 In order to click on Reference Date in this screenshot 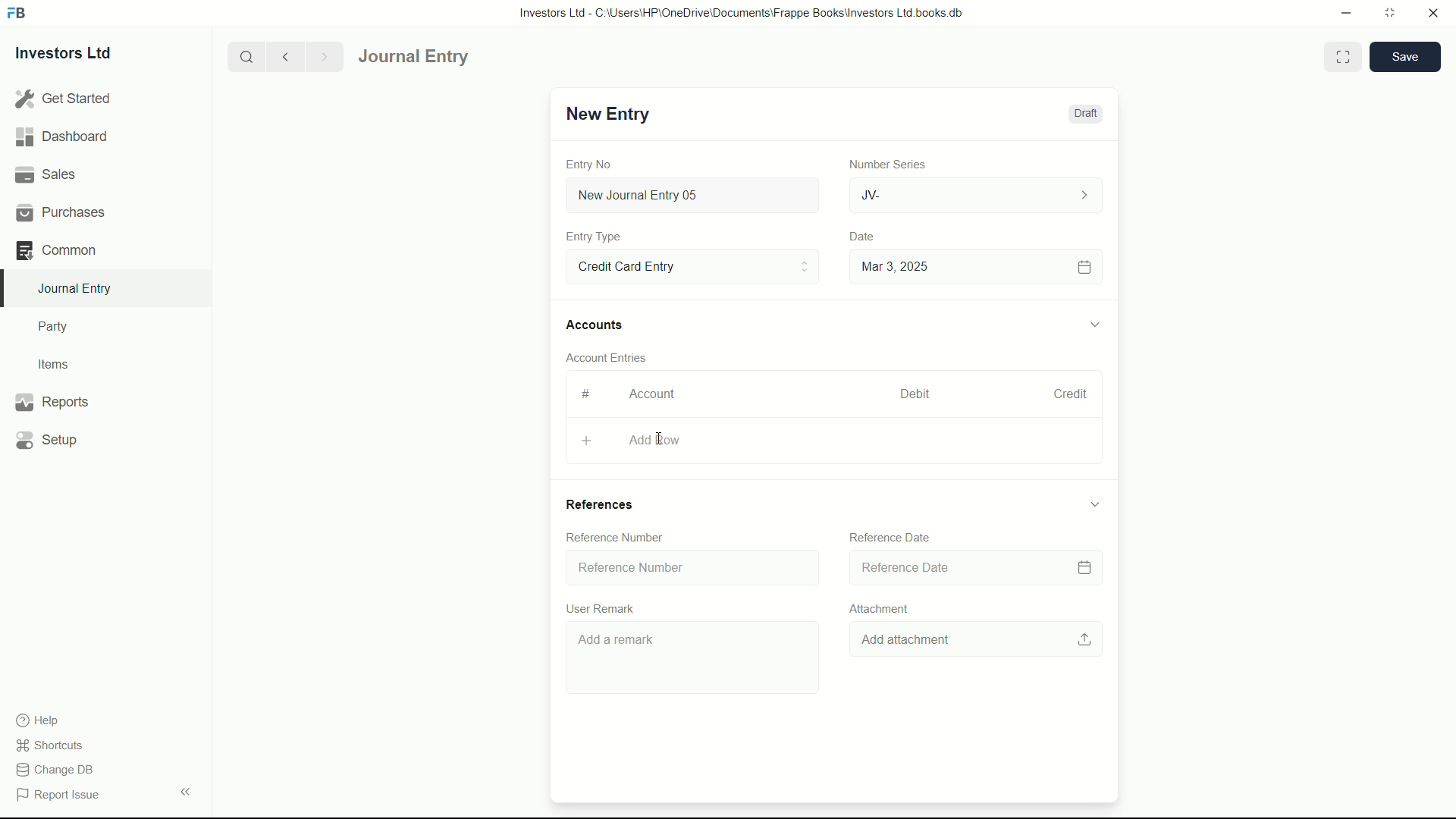, I will do `click(971, 569)`.